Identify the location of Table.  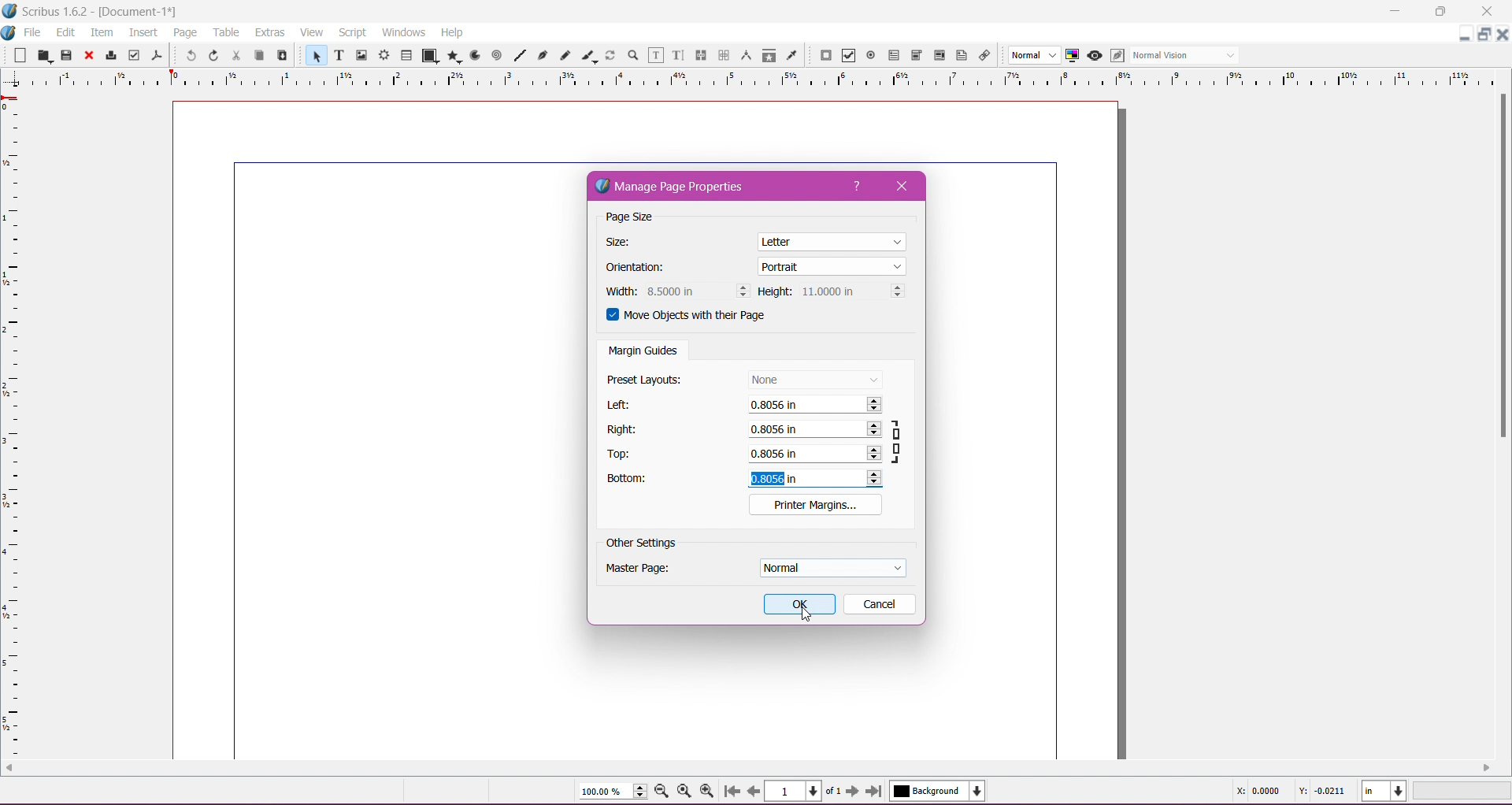
(407, 54).